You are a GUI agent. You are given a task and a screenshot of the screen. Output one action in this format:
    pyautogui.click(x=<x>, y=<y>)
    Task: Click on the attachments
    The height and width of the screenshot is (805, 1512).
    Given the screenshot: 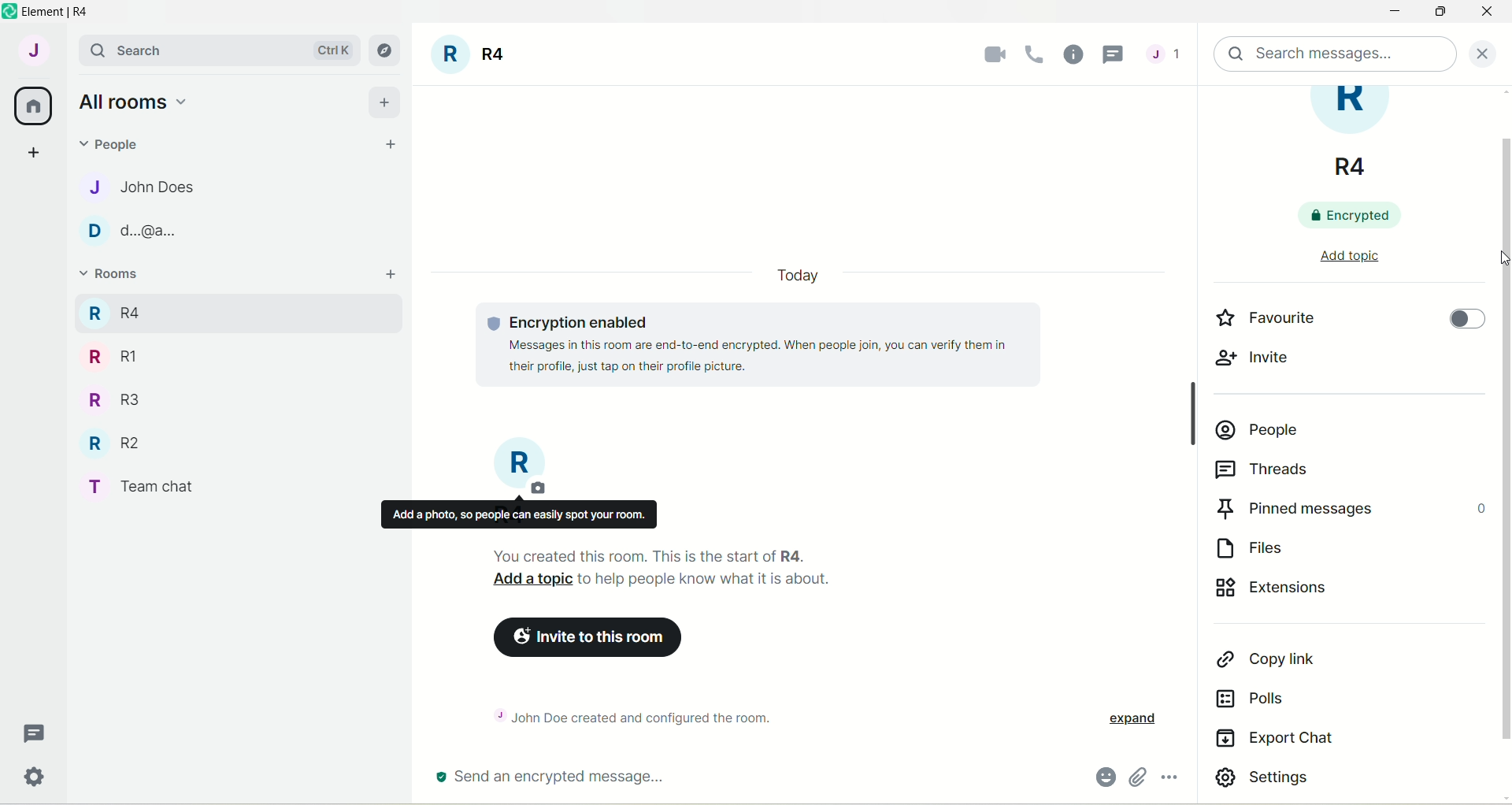 What is the action you would take?
    pyautogui.click(x=1137, y=778)
    